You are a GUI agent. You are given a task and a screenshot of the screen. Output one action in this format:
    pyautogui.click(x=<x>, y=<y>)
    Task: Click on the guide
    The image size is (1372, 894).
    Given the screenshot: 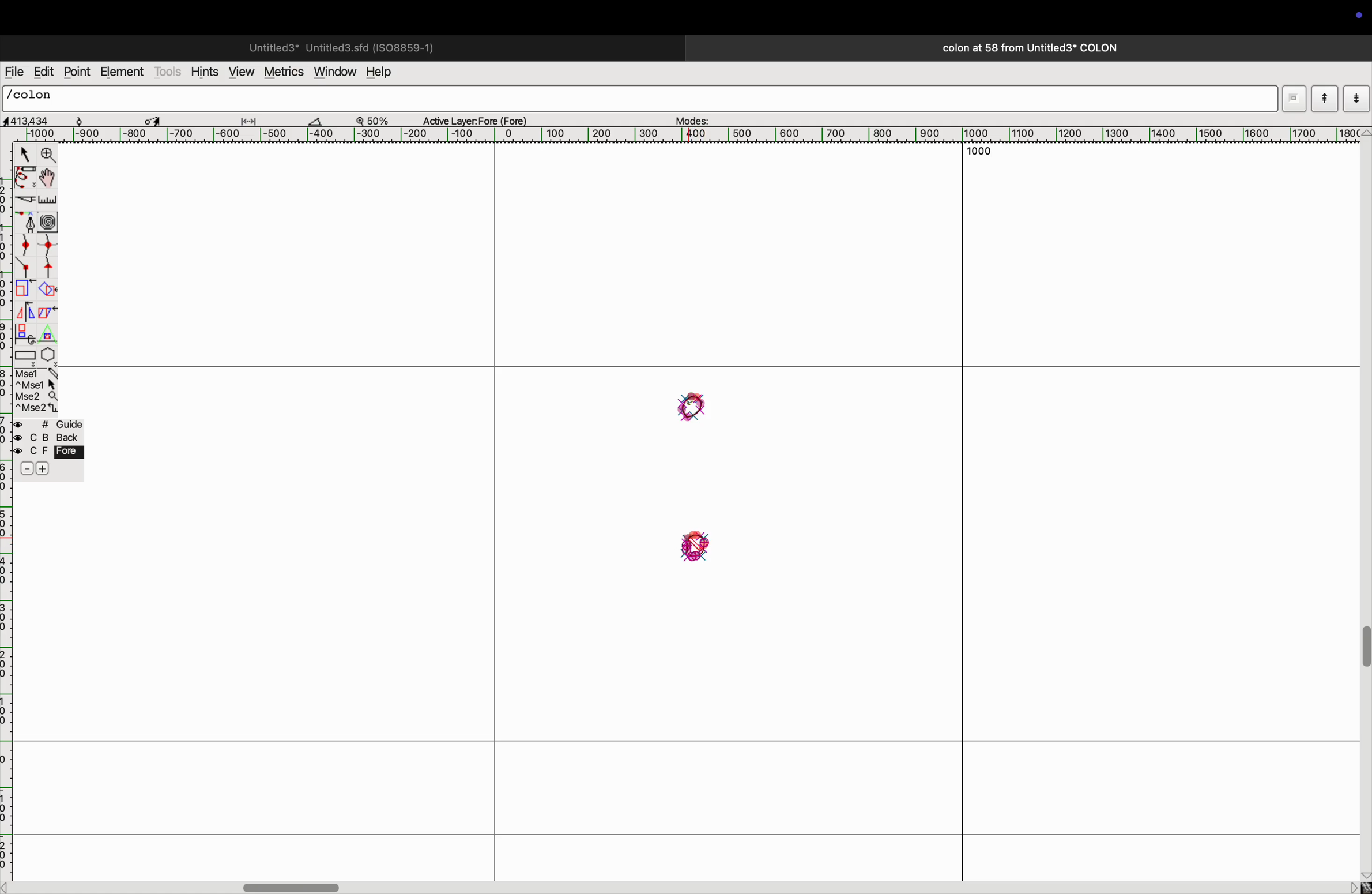 What is the action you would take?
    pyautogui.click(x=52, y=449)
    